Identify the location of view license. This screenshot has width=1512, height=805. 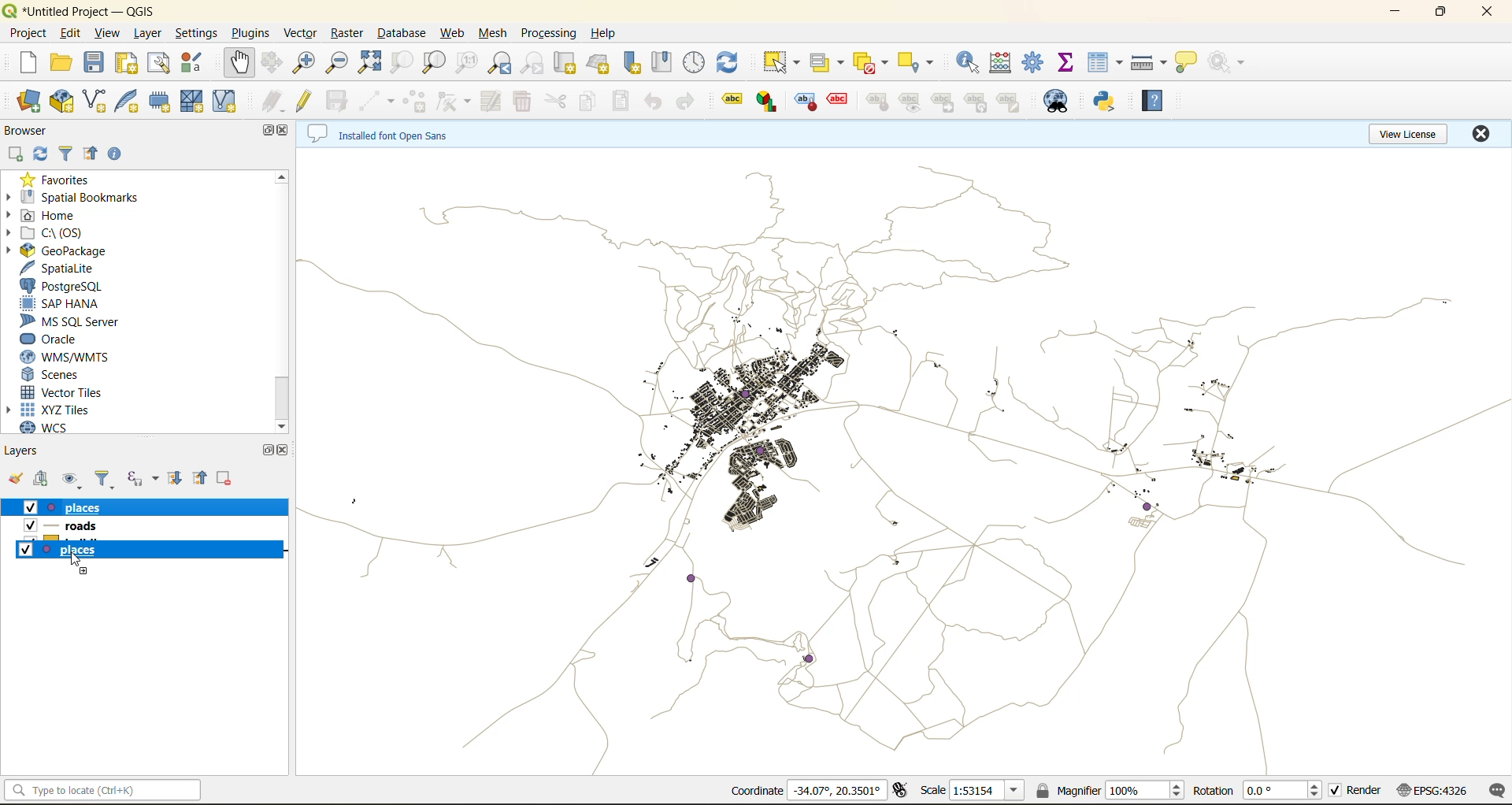
(1408, 135).